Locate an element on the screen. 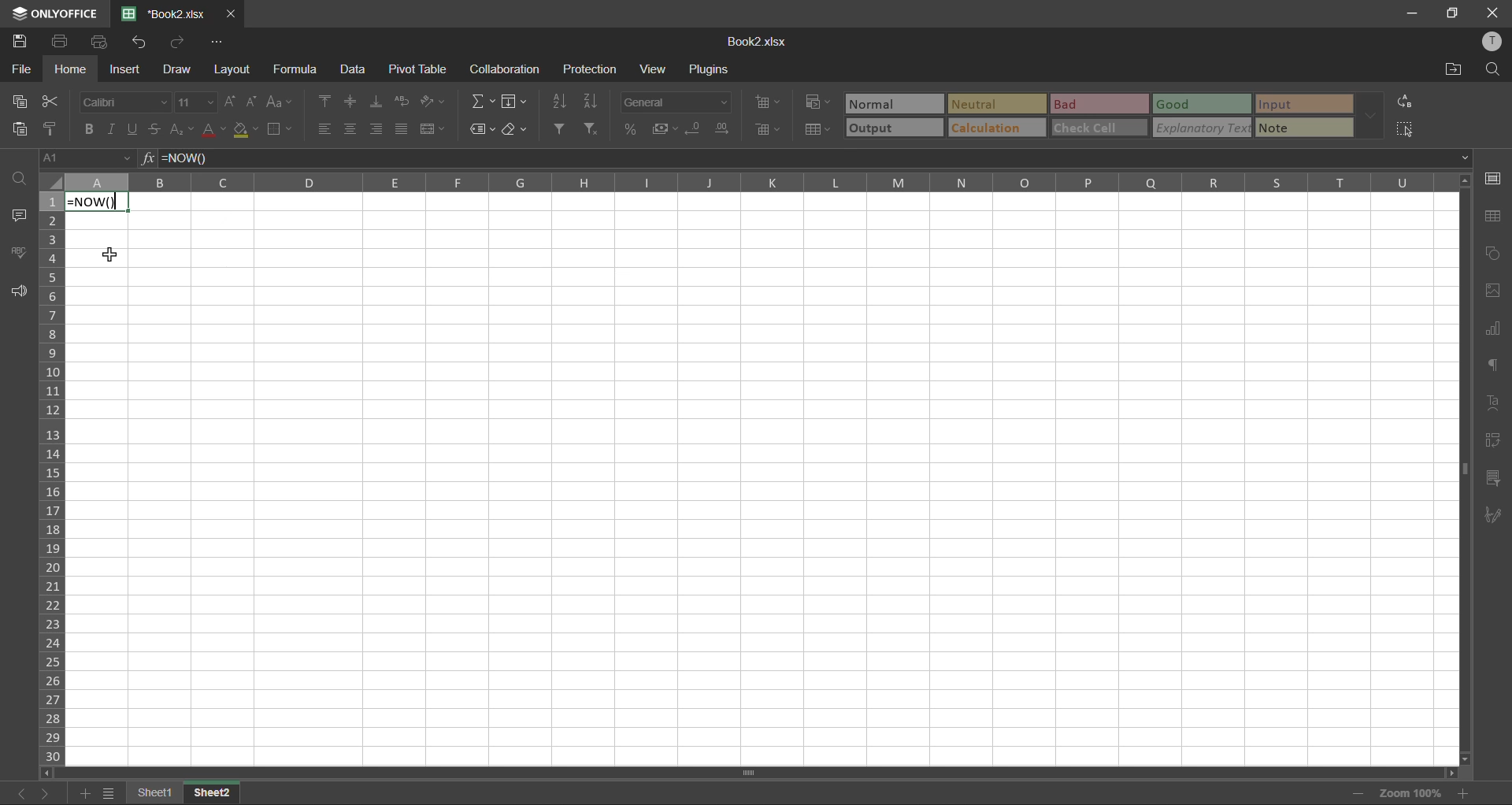  summation is located at coordinates (486, 101).